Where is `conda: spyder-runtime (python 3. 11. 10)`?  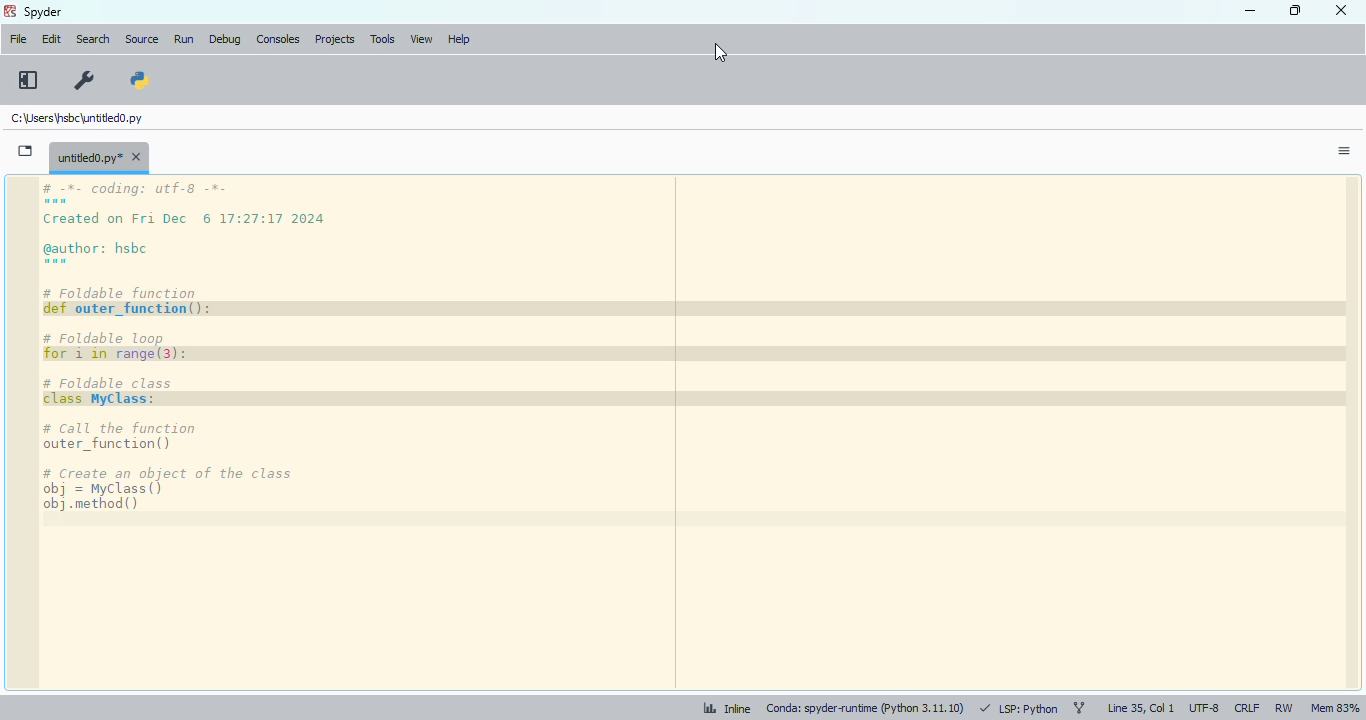
conda: spyder-runtime (python 3. 11. 10) is located at coordinates (866, 708).